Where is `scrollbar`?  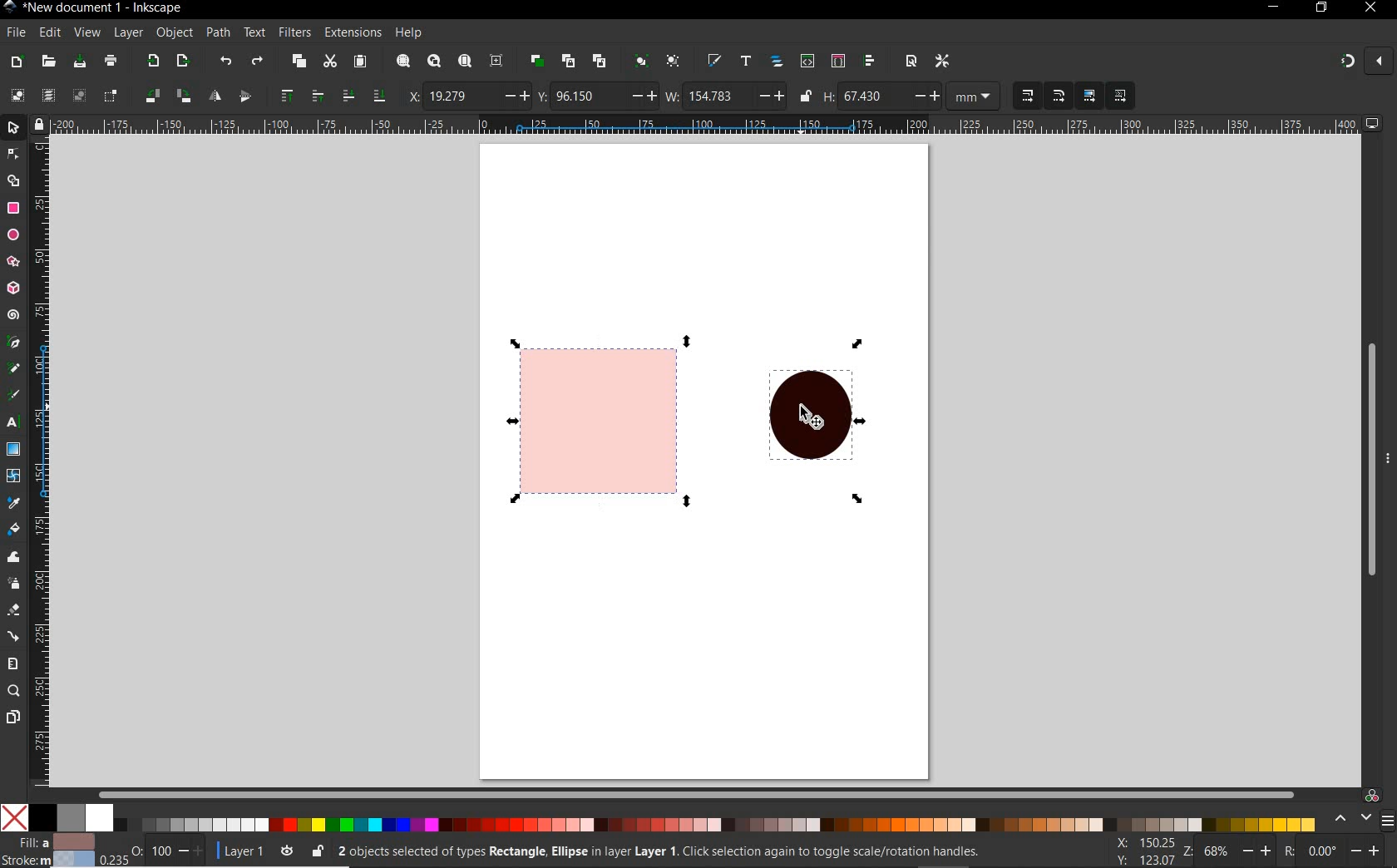 scrollbar is located at coordinates (1371, 446).